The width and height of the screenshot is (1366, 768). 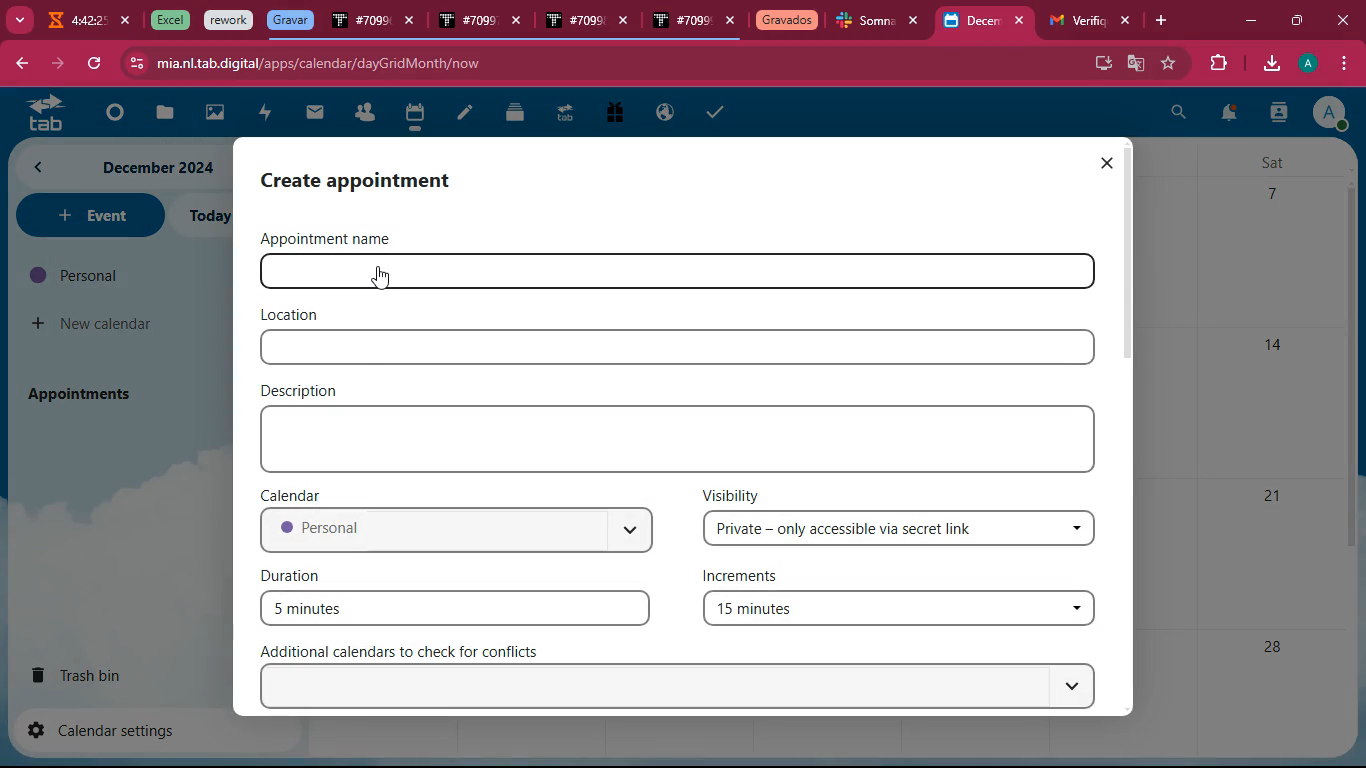 I want to click on files, so click(x=517, y=112).